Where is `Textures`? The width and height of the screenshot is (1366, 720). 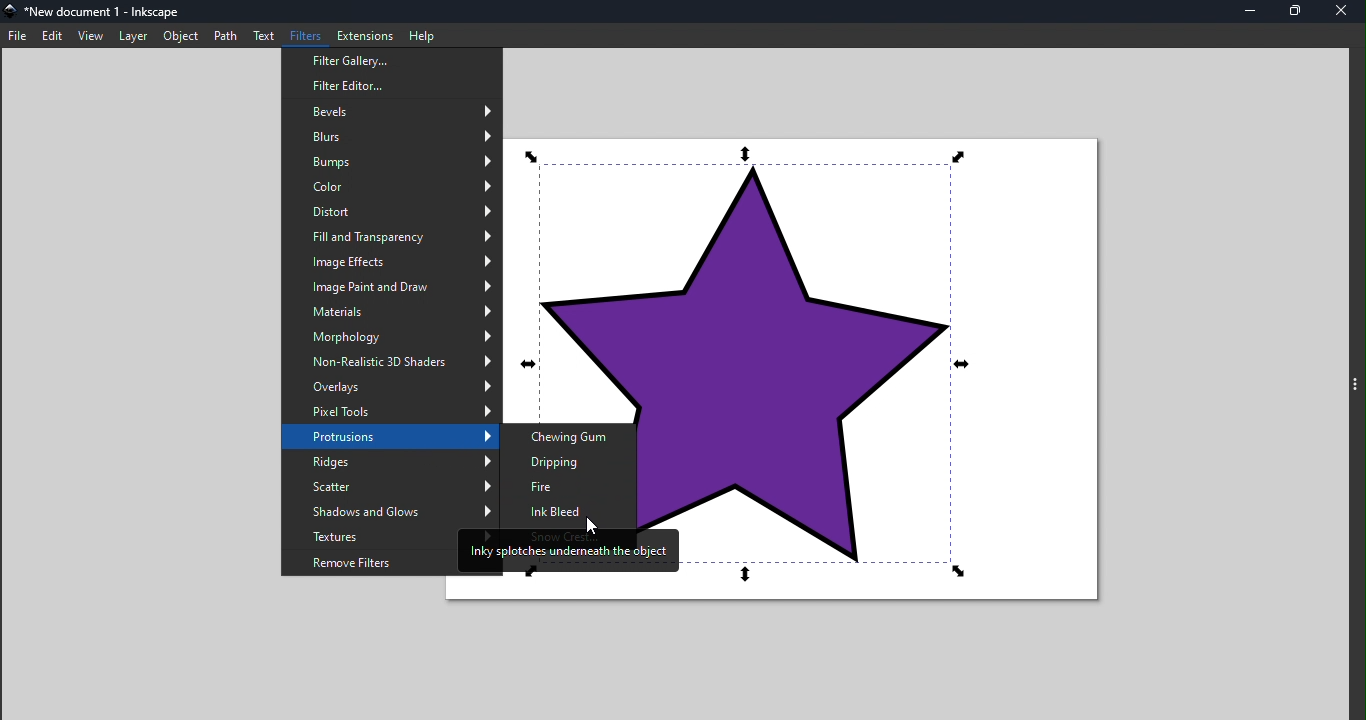
Textures is located at coordinates (369, 534).